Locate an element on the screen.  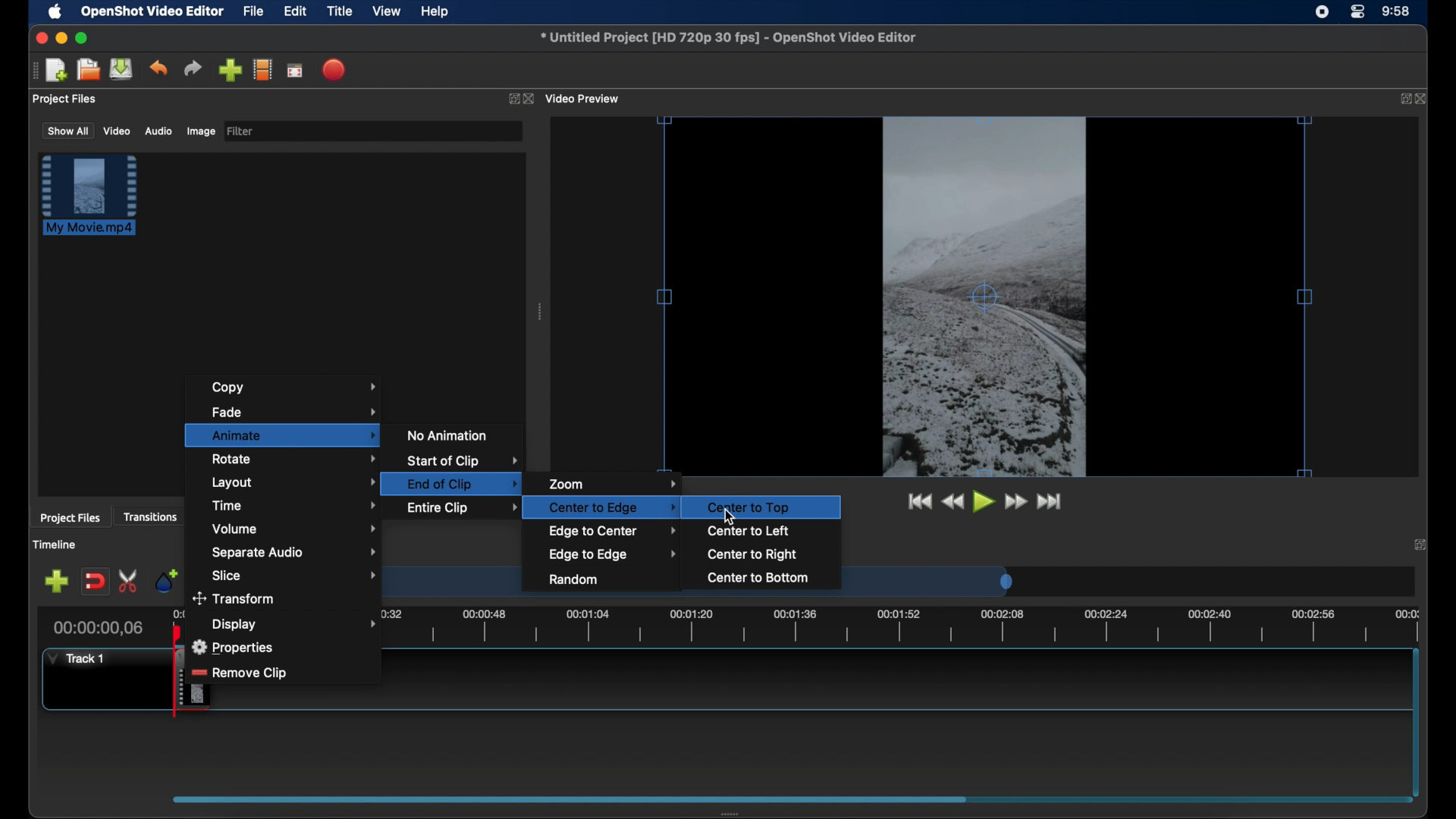
close is located at coordinates (531, 99).